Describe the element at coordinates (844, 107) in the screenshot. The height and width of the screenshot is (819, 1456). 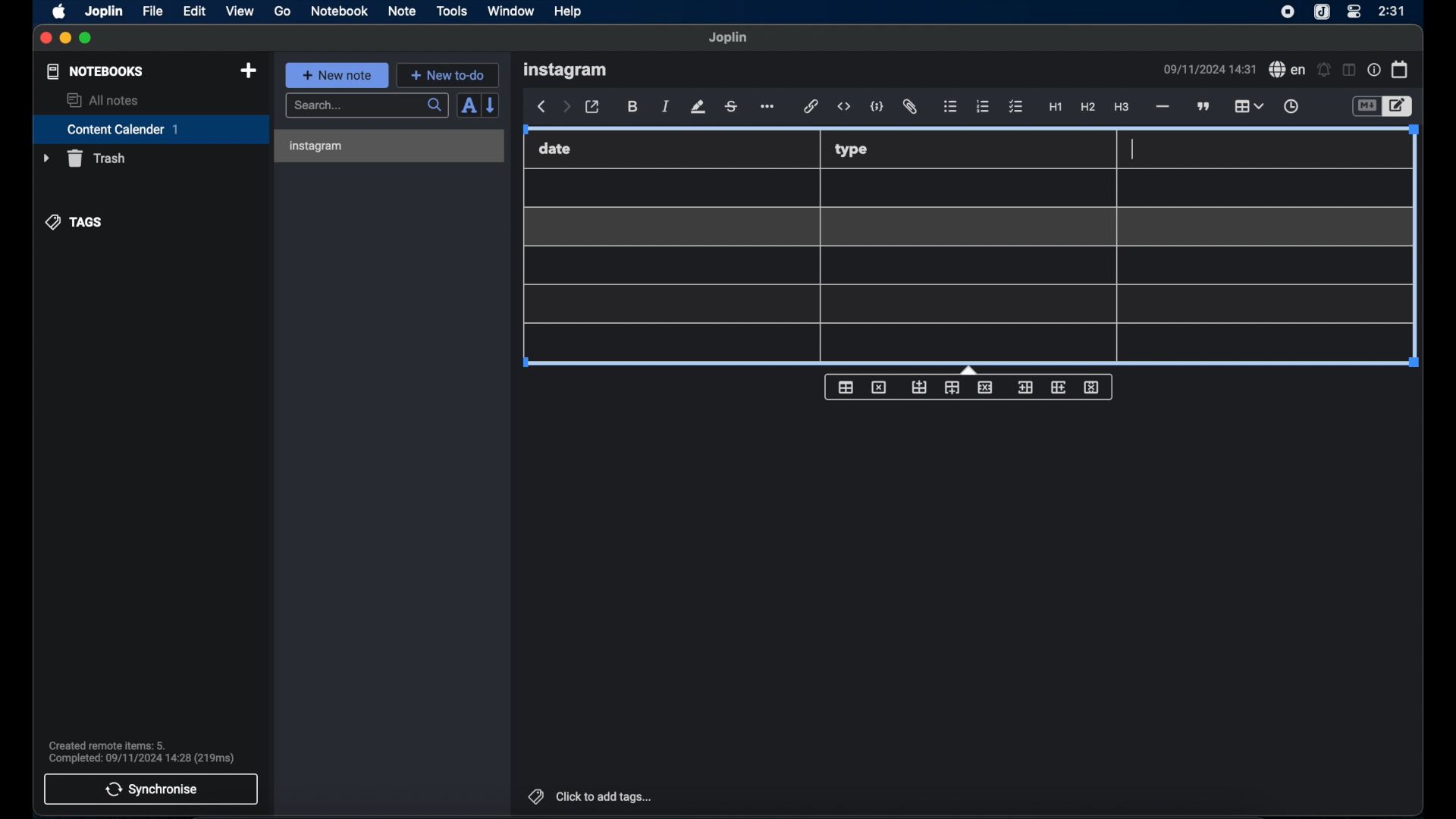
I see `inline code` at that location.